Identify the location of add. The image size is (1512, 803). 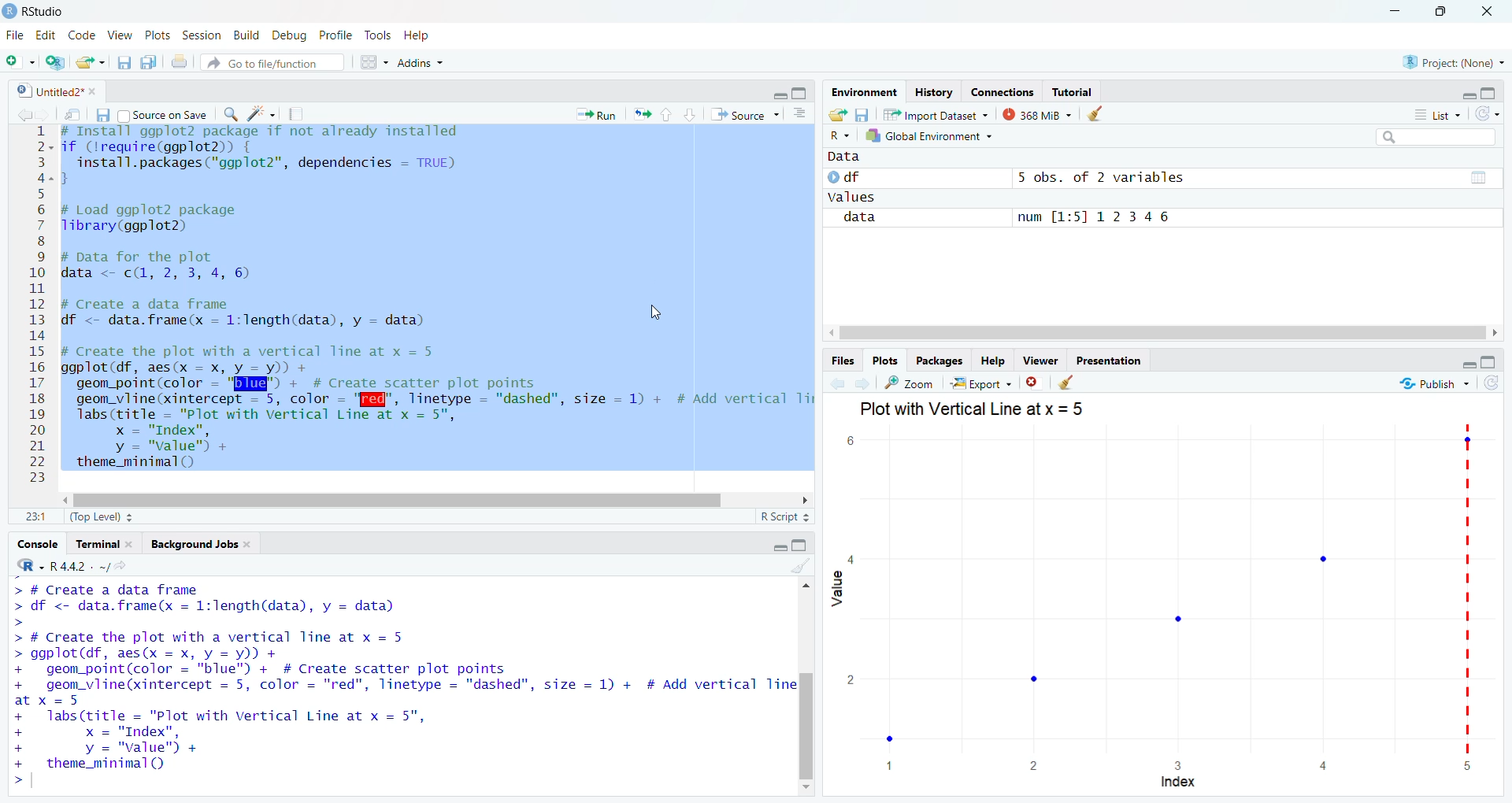
(20, 62).